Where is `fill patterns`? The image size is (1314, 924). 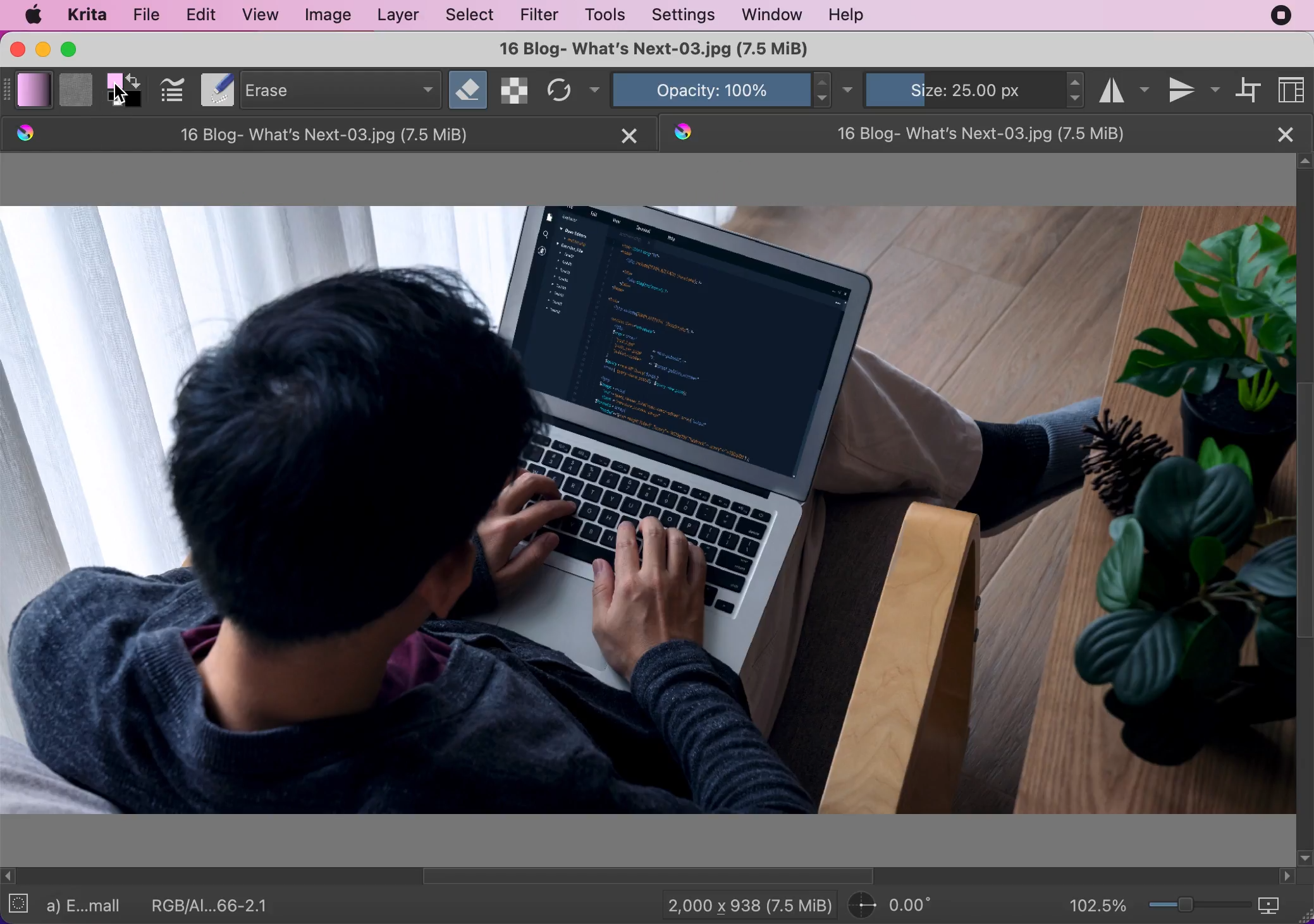 fill patterns is located at coordinates (75, 89).